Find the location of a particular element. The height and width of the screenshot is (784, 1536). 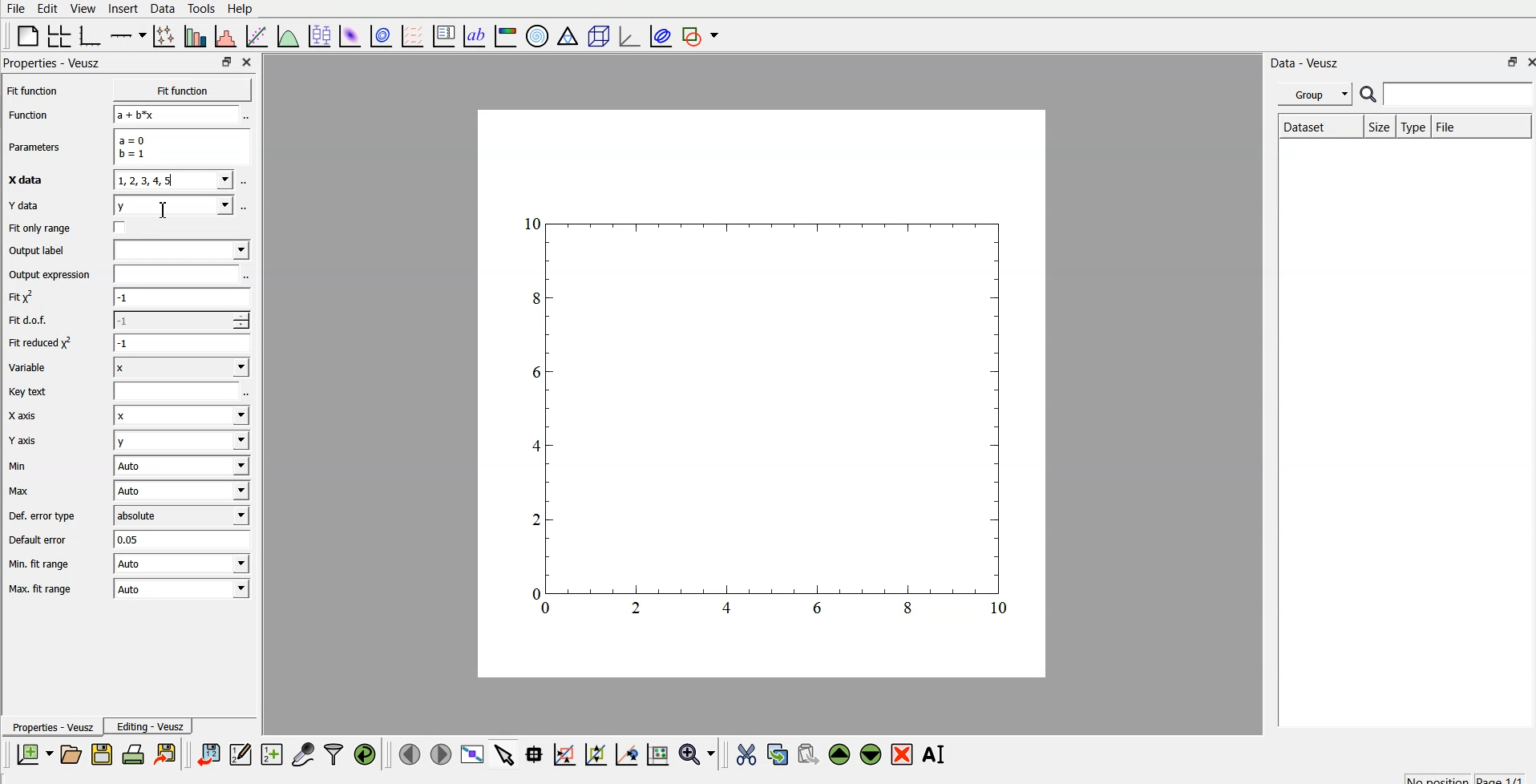

3d scene is located at coordinates (599, 38).